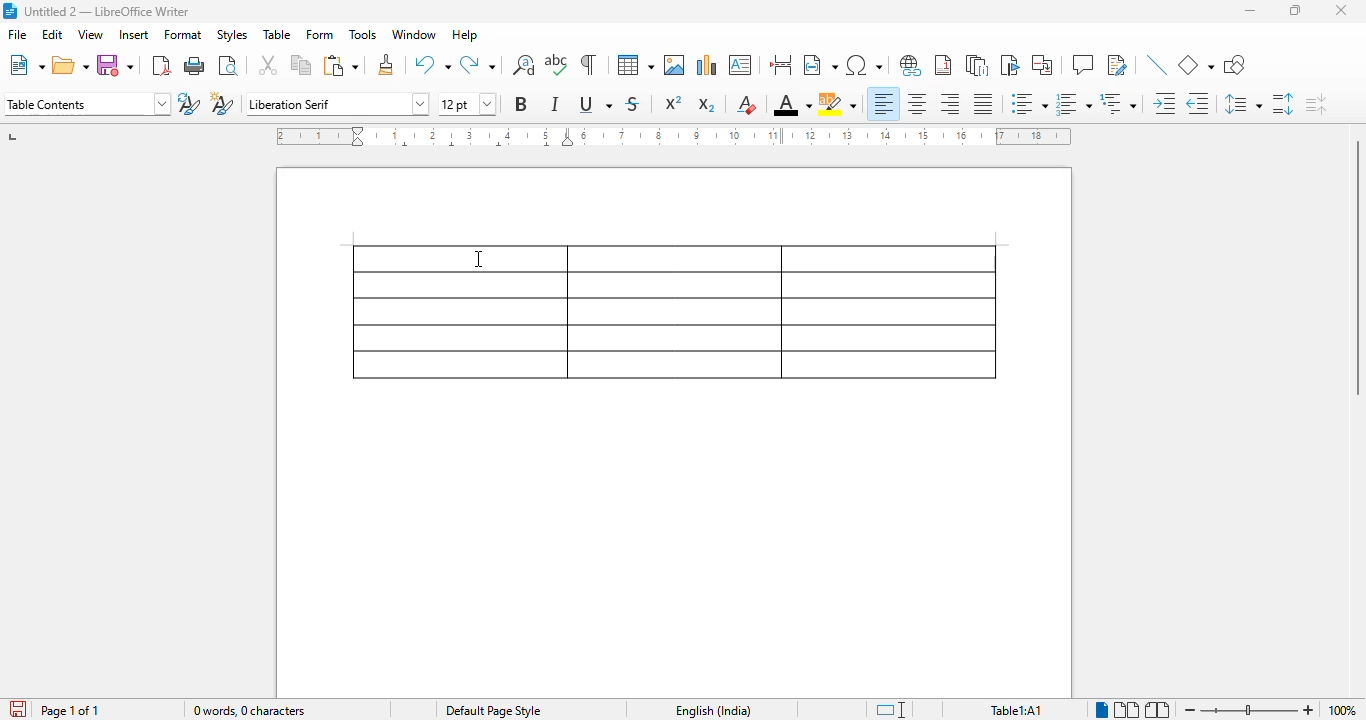 The image size is (1366, 720). Describe the element at coordinates (386, 64) in the screenshot. I see `clone formatting` at that location.